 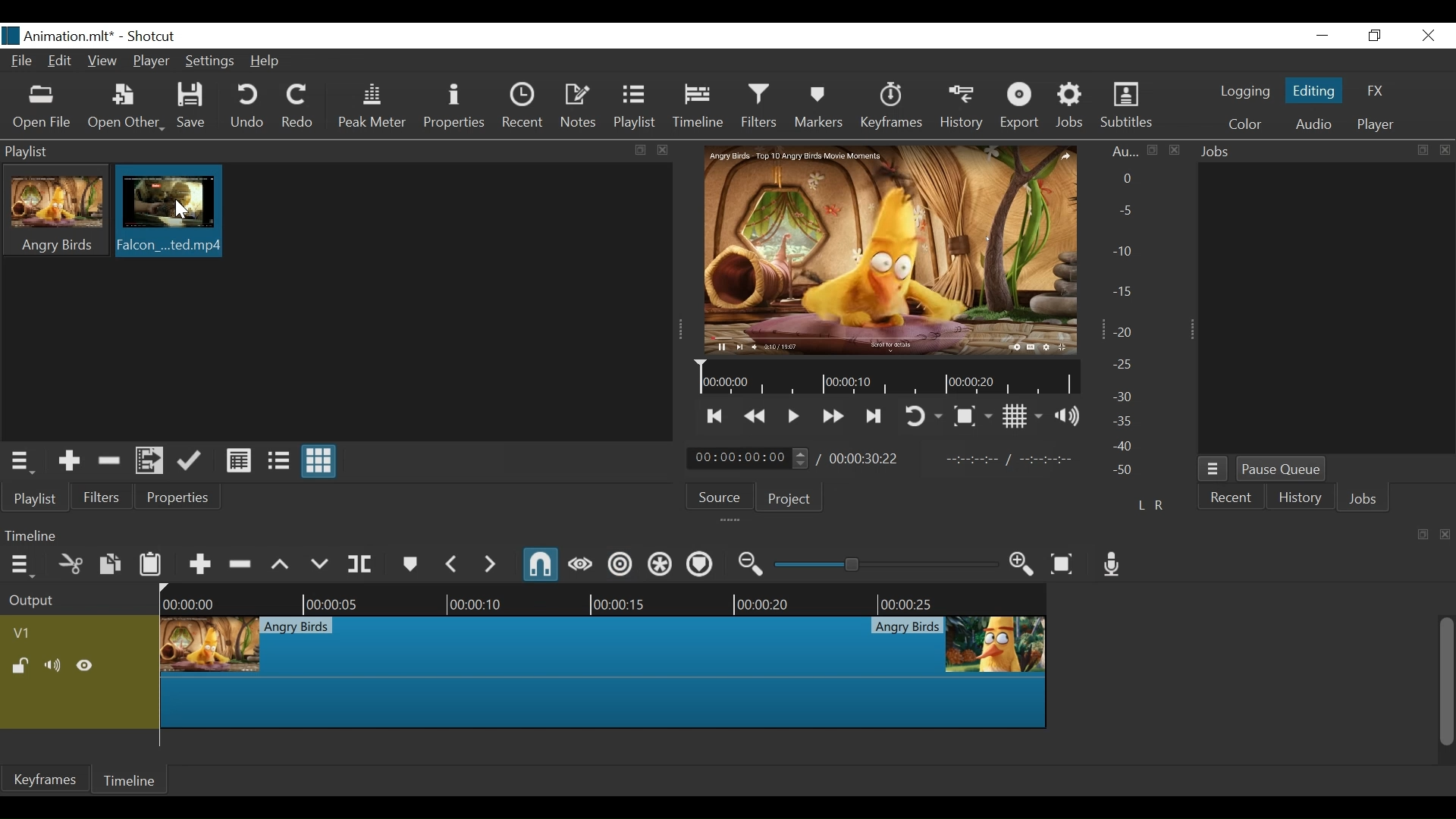 What do you see at coordinates (360, 563) in the screenshot?
I see `Split at playhead` at bounding box center [360, 563].